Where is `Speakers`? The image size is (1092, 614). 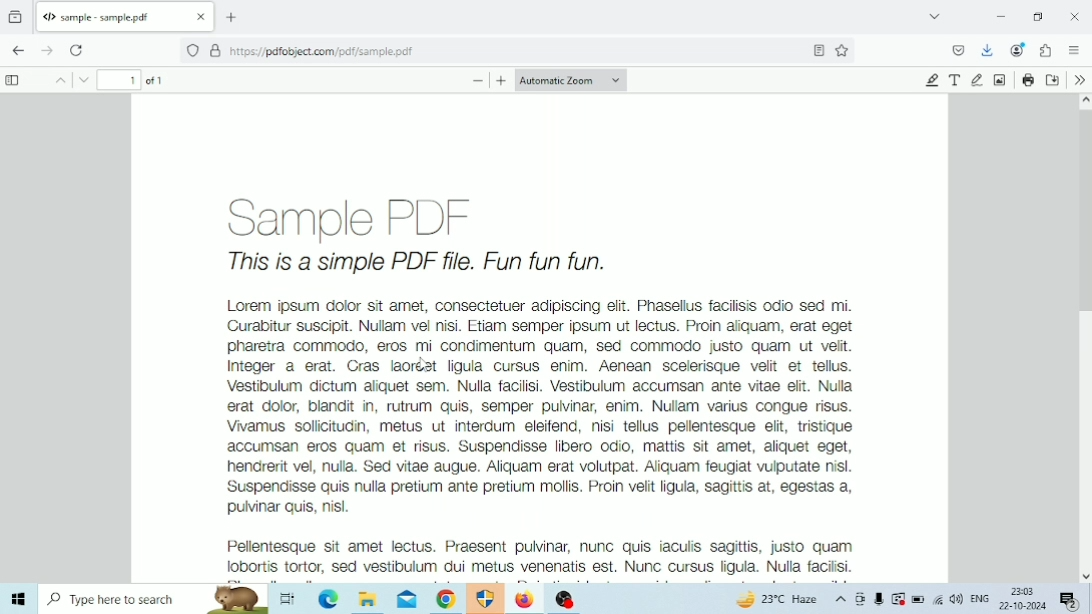
Speakers is located at coordinates (957, 600).